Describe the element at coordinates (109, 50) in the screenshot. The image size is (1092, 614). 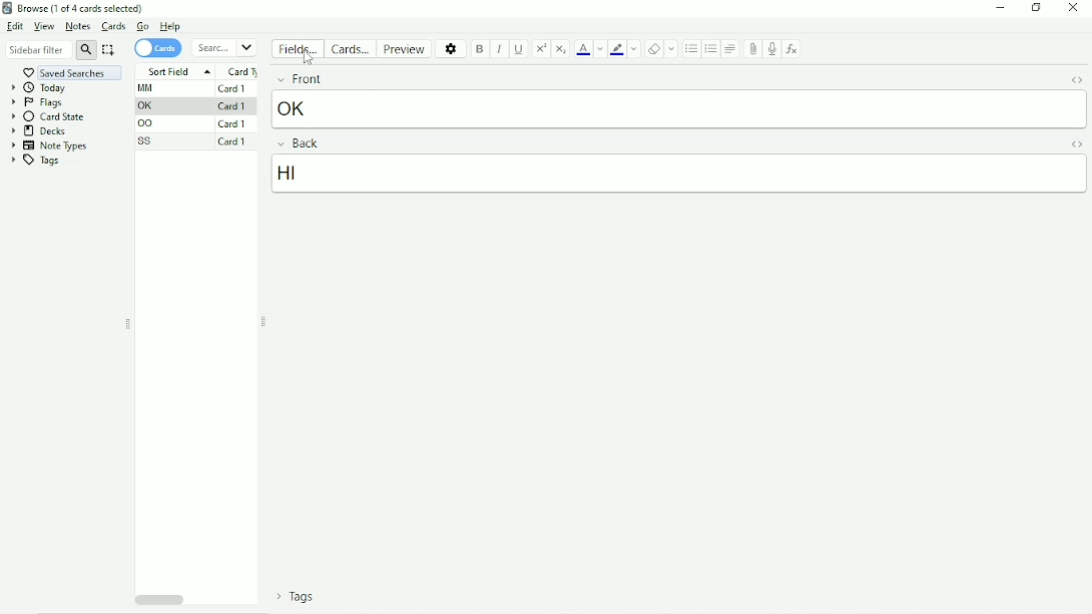
I see `Select` at that location.